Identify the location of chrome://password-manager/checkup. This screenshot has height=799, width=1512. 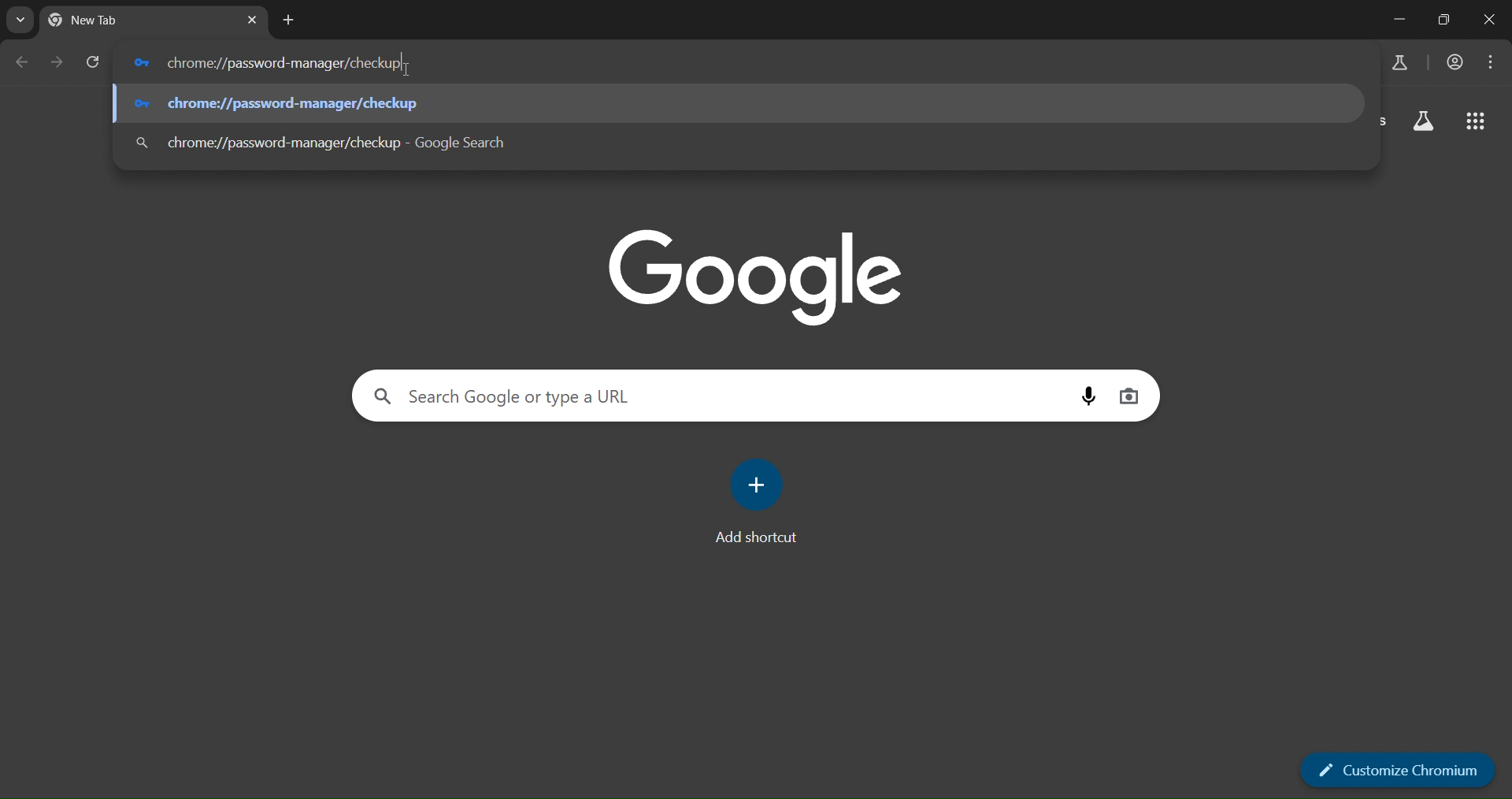
(286, 63).